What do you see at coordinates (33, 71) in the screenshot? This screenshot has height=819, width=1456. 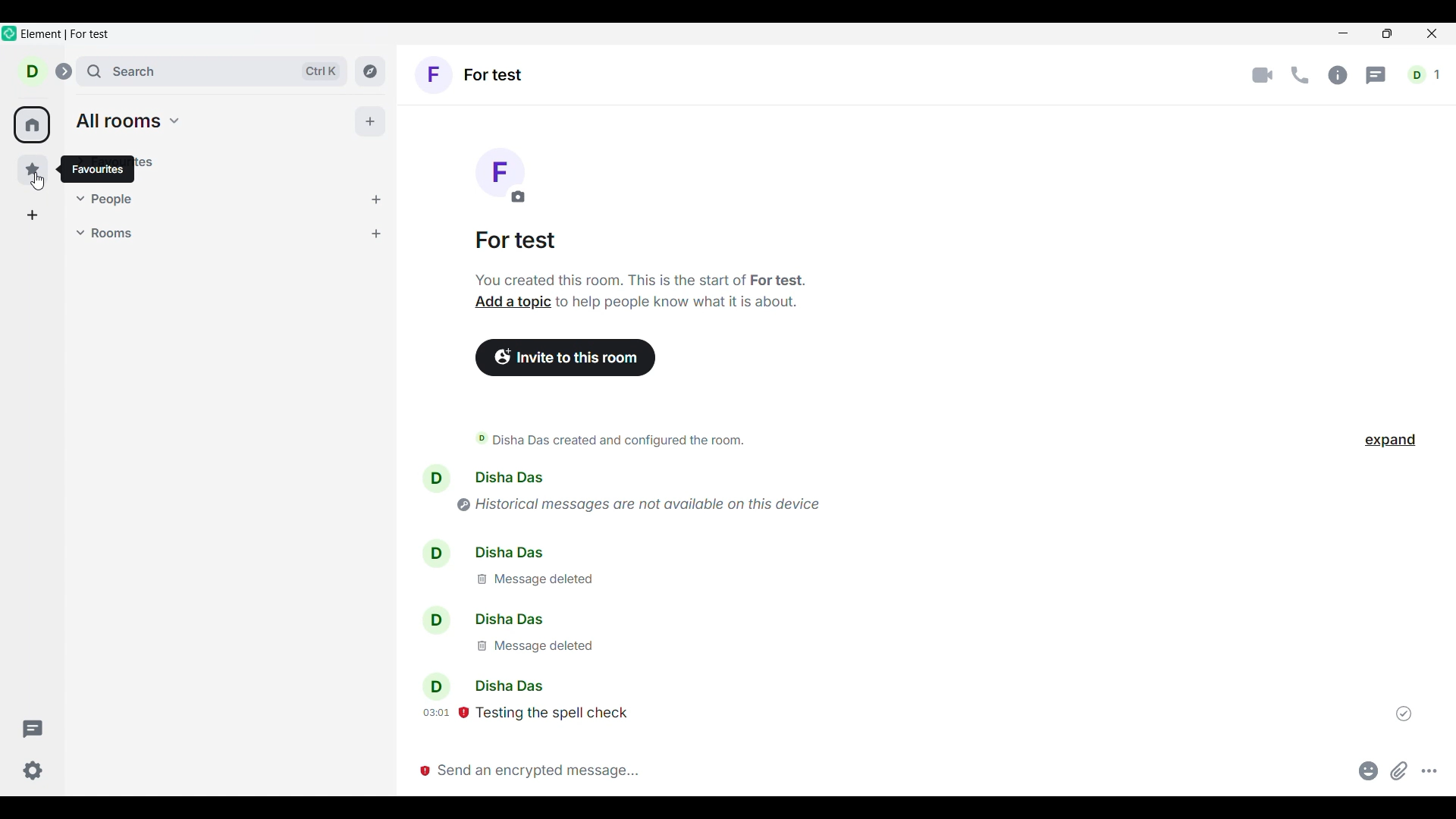 I see `Current account` at bounding box center [33, 71].